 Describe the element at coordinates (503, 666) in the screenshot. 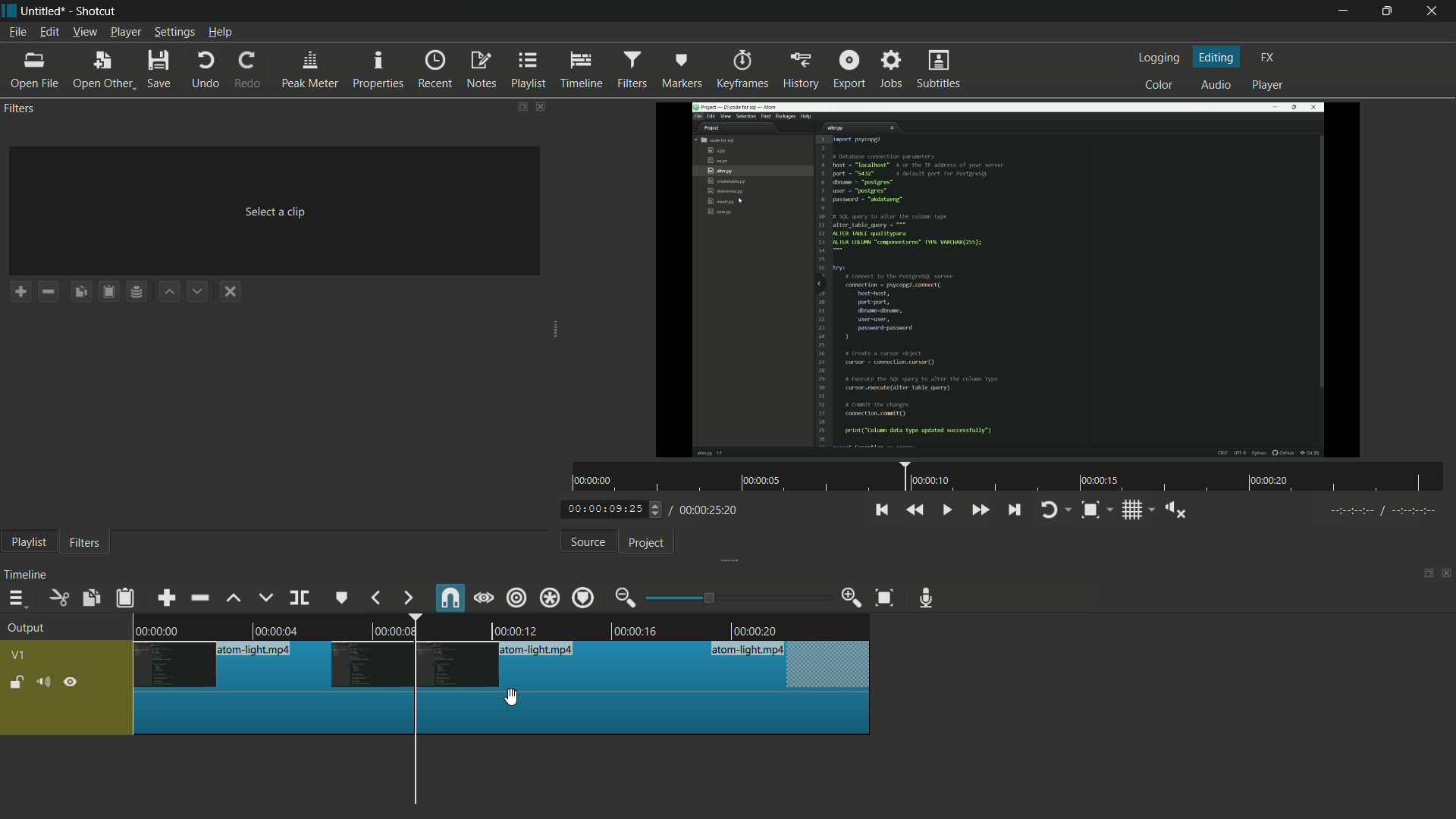

I see `` at that location.